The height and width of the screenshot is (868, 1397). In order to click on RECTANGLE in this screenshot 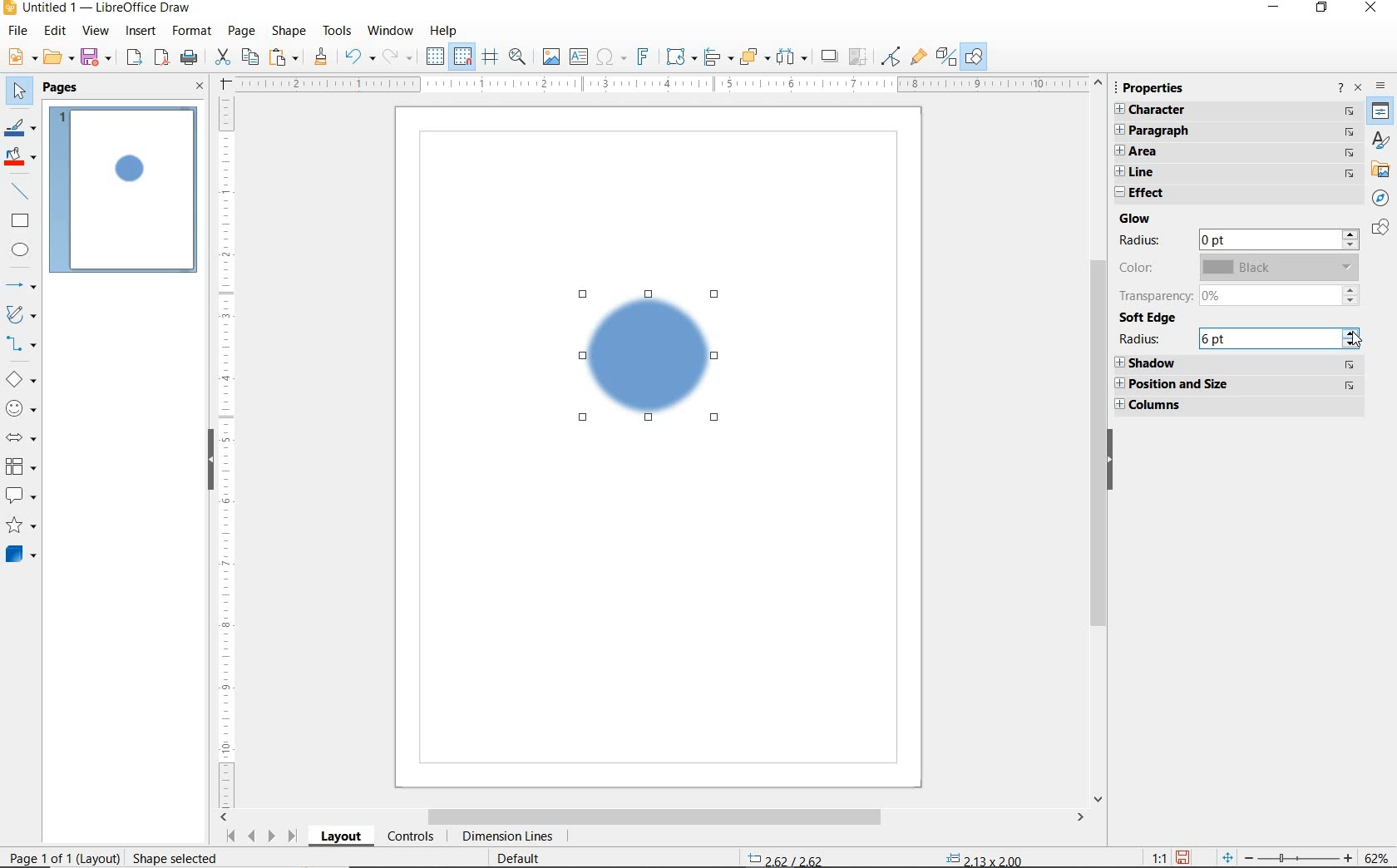, I will do `click(22, 222)`.